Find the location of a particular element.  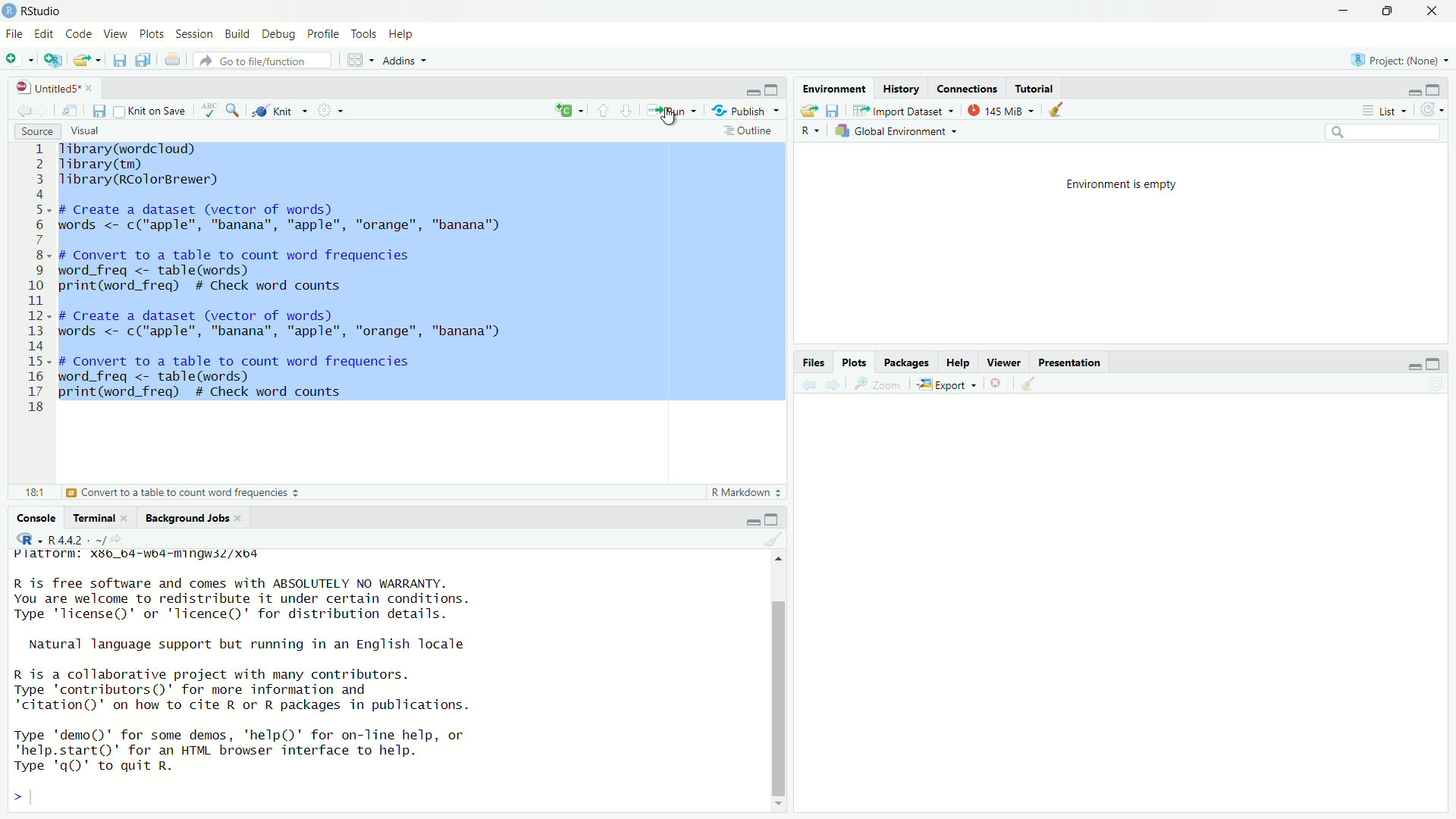

Workspace pane is located at coordinates (360, 59).